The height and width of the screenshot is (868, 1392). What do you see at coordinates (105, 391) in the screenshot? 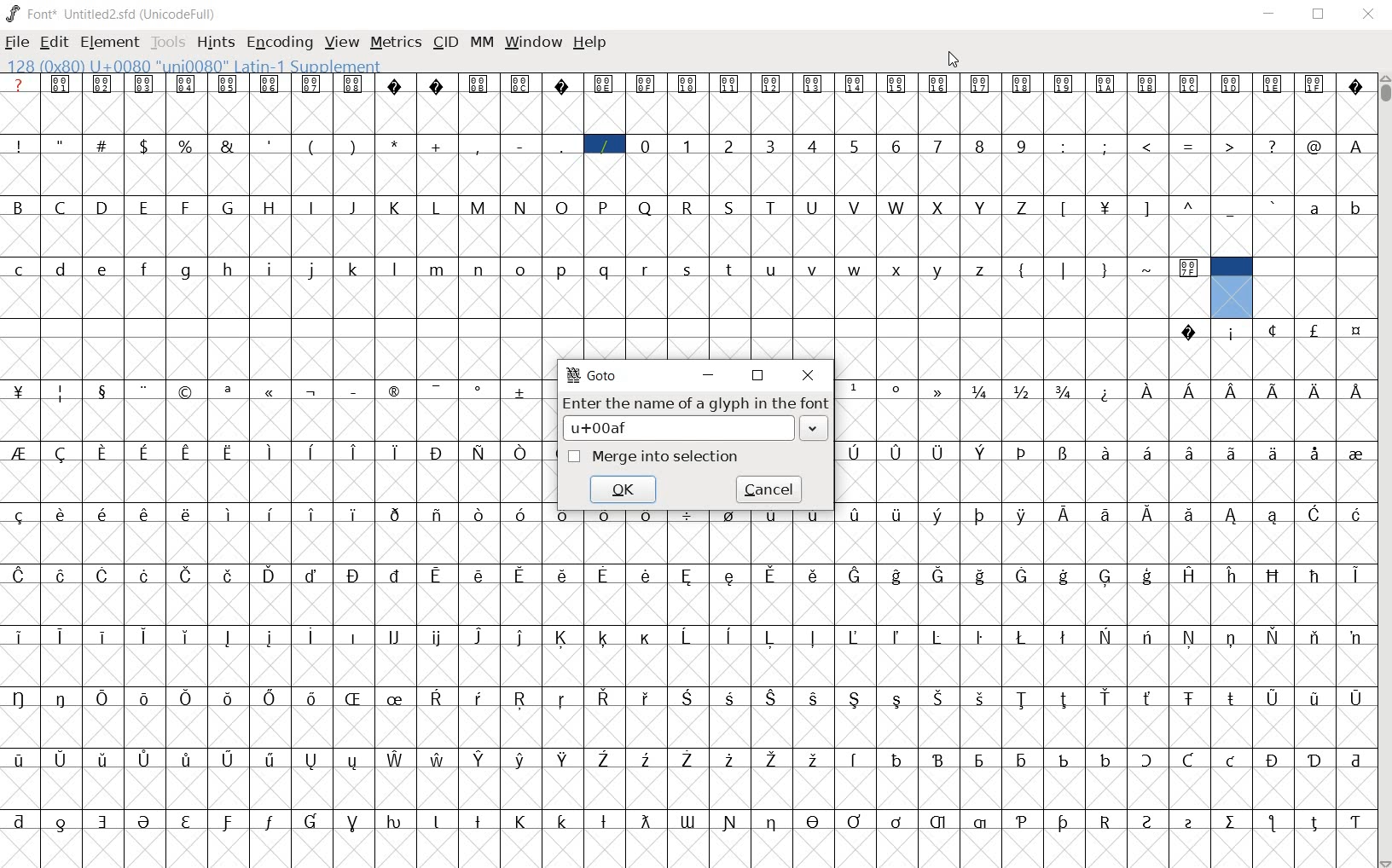
I see `Symbol` at bounding box center [105, 391].